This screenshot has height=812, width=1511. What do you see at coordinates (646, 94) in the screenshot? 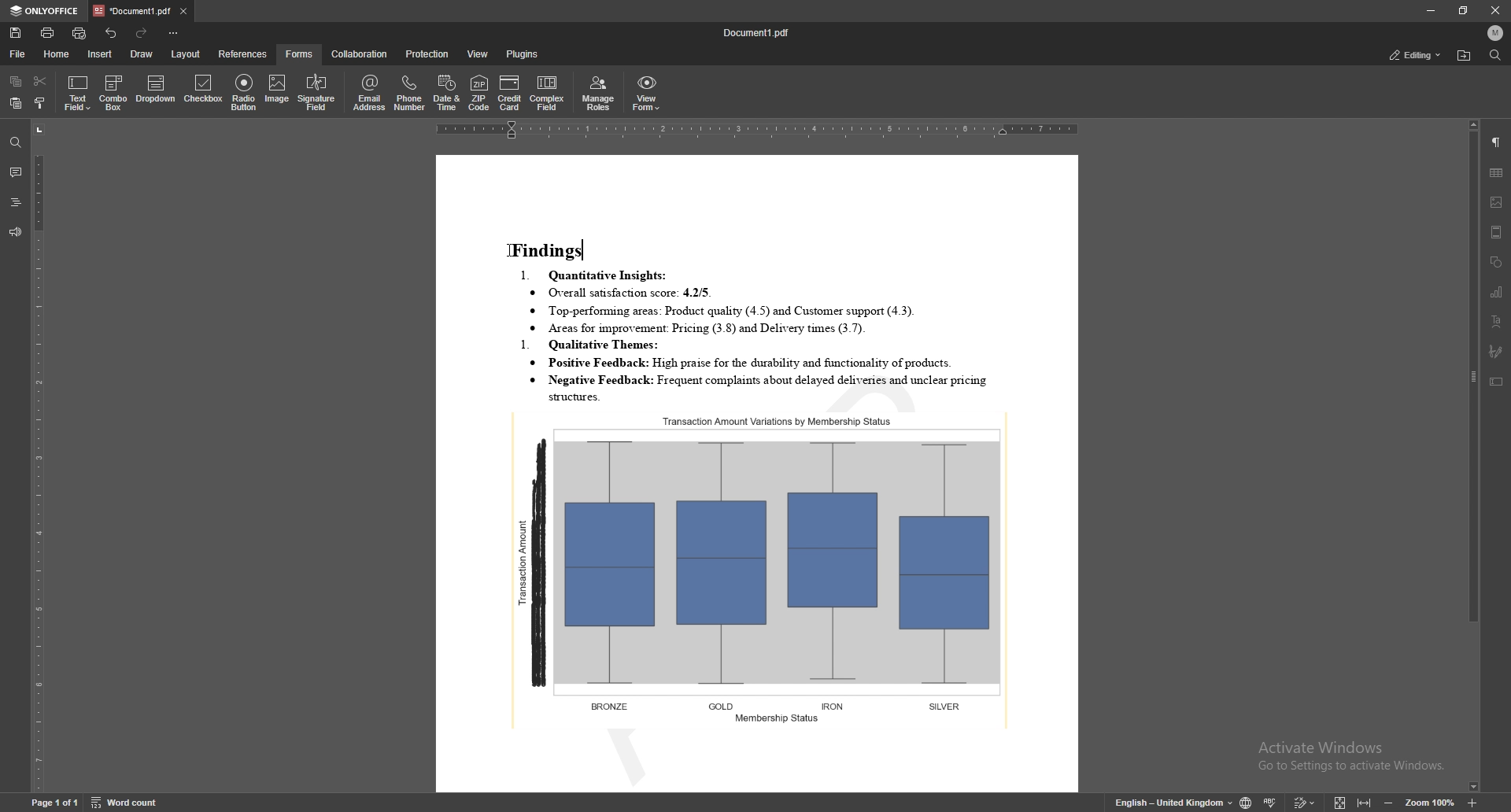
I see `view form` at bounding box center [646, 94].